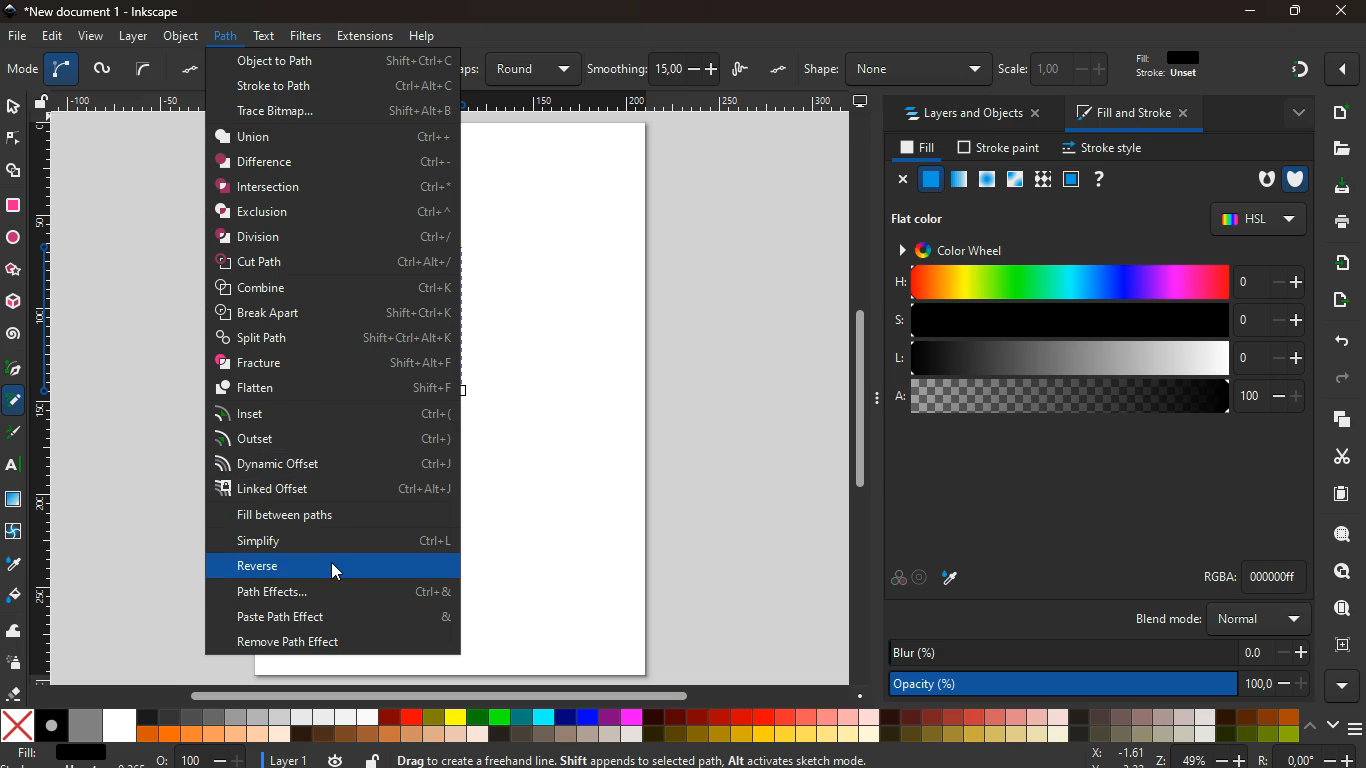 The width and height of the screenshot is (1366, 768). What do you see at coordinates (336, 543) in the screenshot?
I see `simplify` at bounding box center [336, 543].